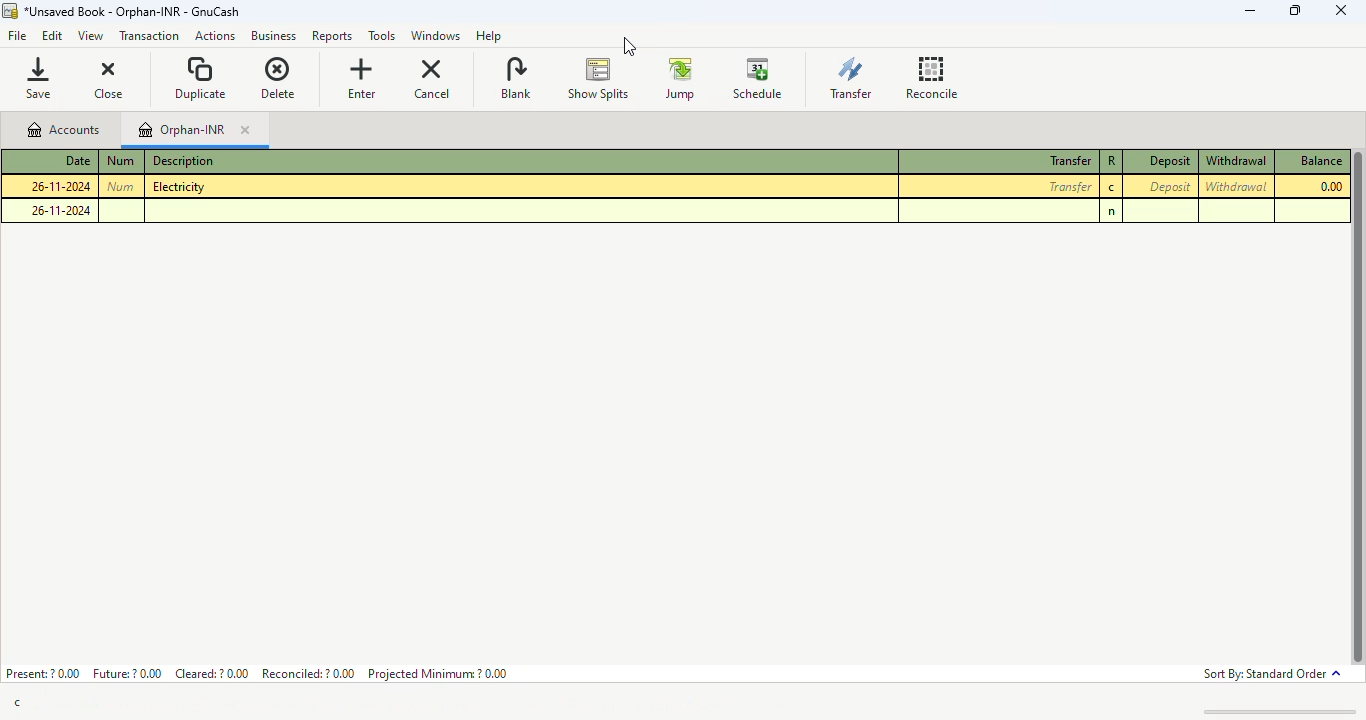 The height and width of the screenshot is (720, 1366). I want to click on 0.00, so click(1331, 186).